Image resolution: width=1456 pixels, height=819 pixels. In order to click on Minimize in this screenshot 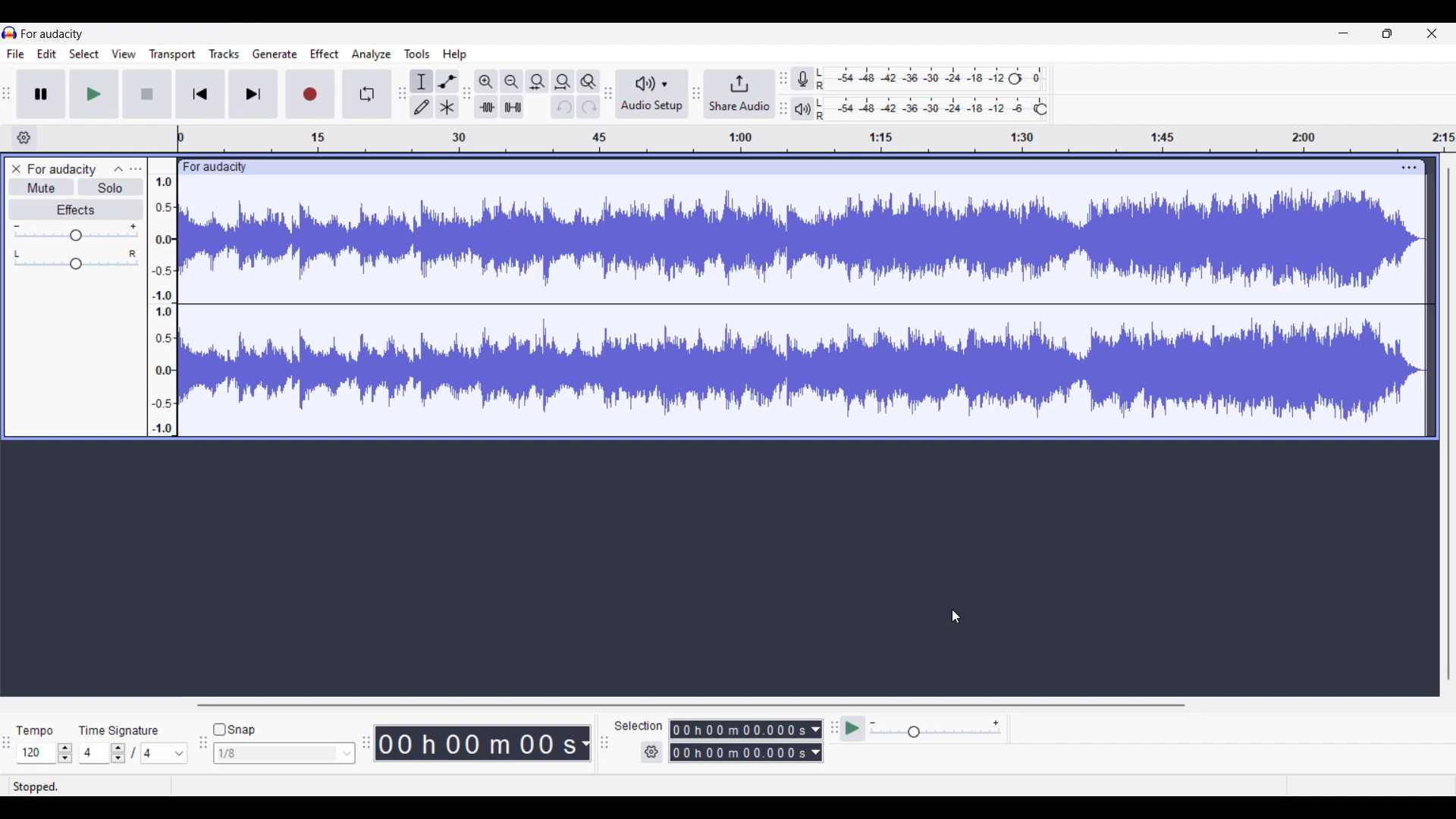, I will do `click(1344, 33)`.